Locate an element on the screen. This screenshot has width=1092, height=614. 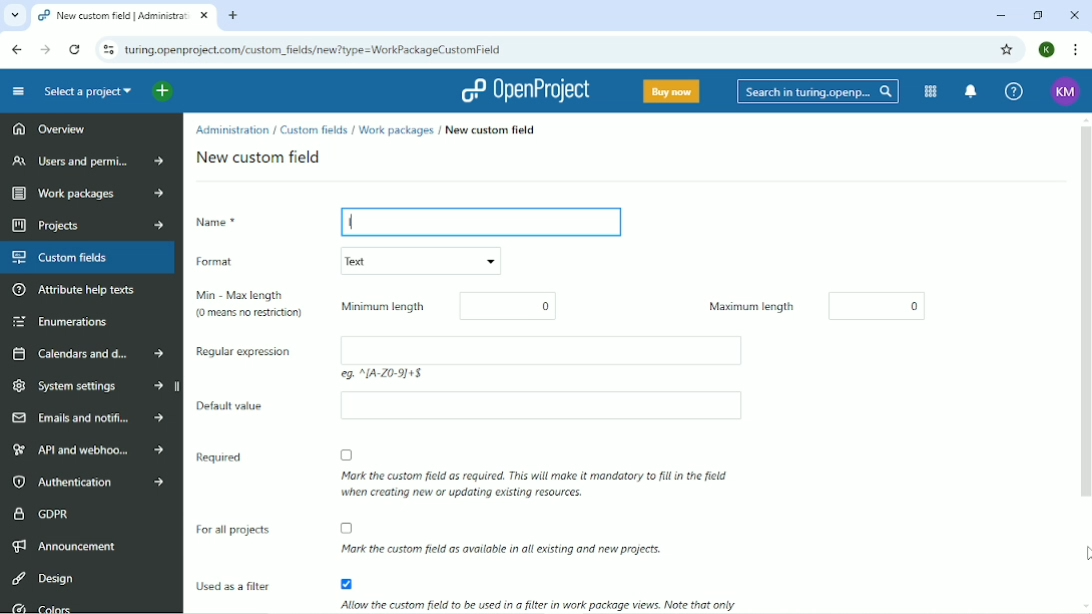
Colors is located at coordinates (41, 606).